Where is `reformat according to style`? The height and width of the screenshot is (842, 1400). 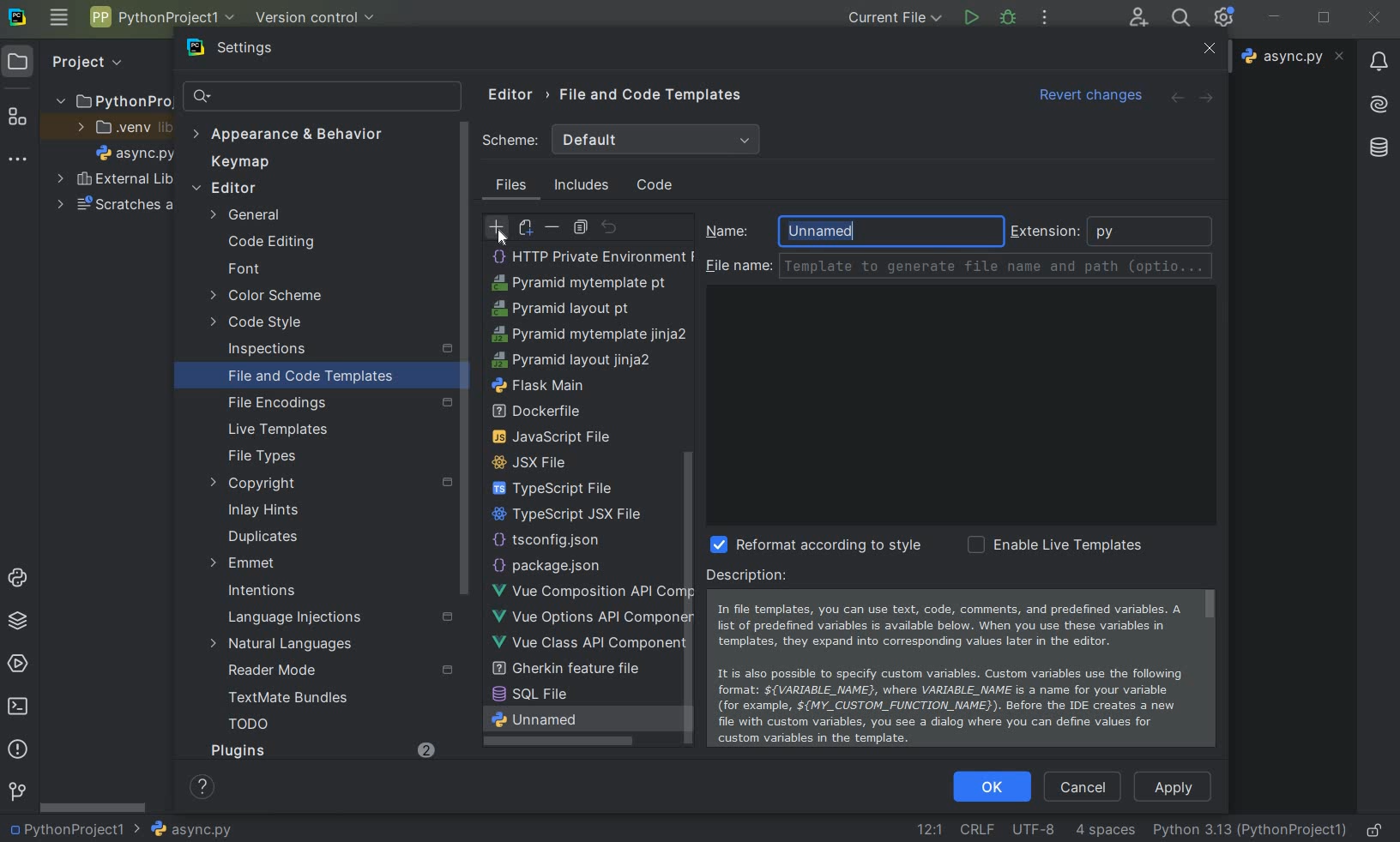 reformat according to style is located at coordinates (808, 544).